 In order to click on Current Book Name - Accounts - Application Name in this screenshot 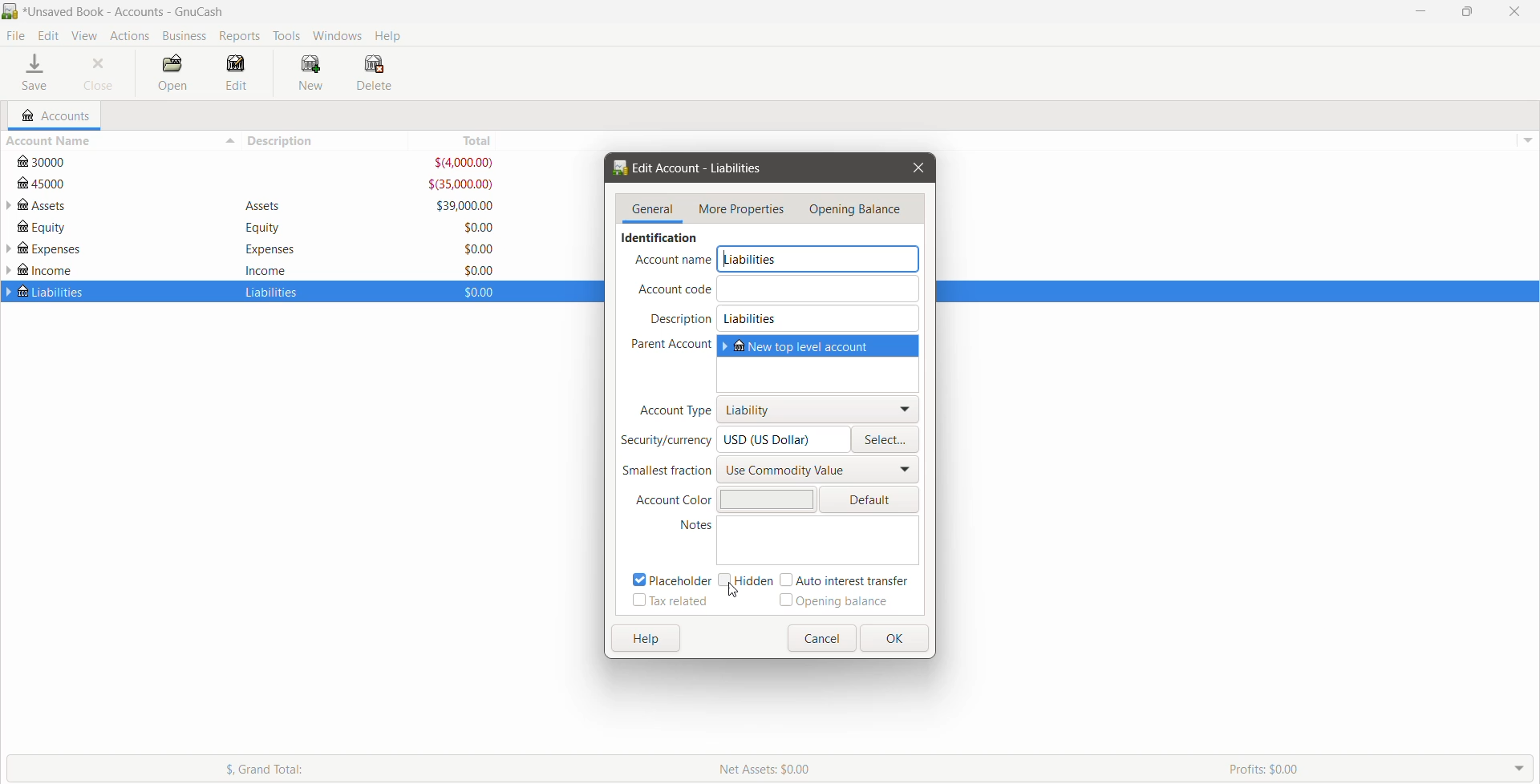, I will do `click(136, 11)`.